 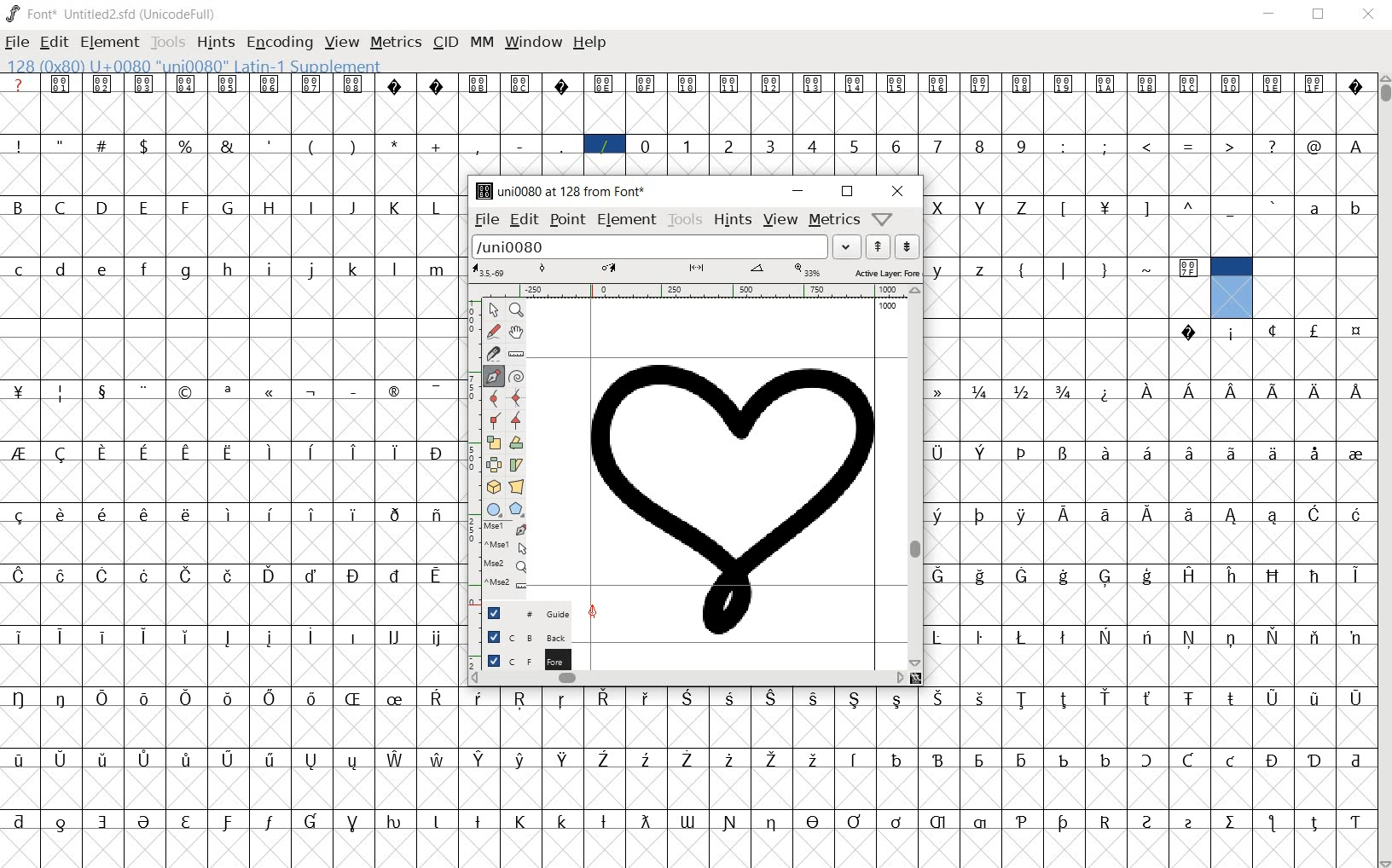 I want to click on glyph, so click(x=562, y=86).